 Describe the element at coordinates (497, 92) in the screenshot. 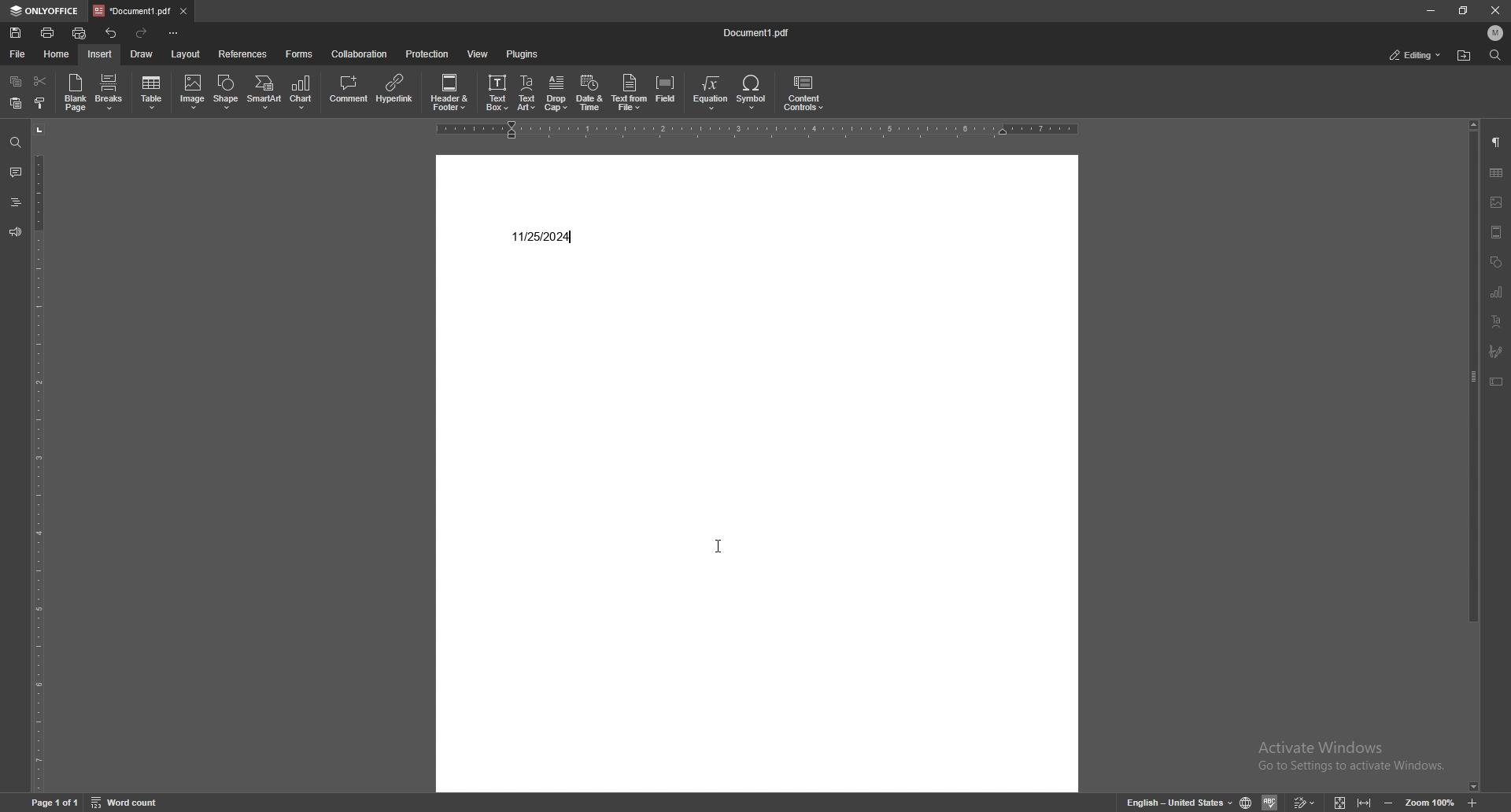

I see `text box` at that location.